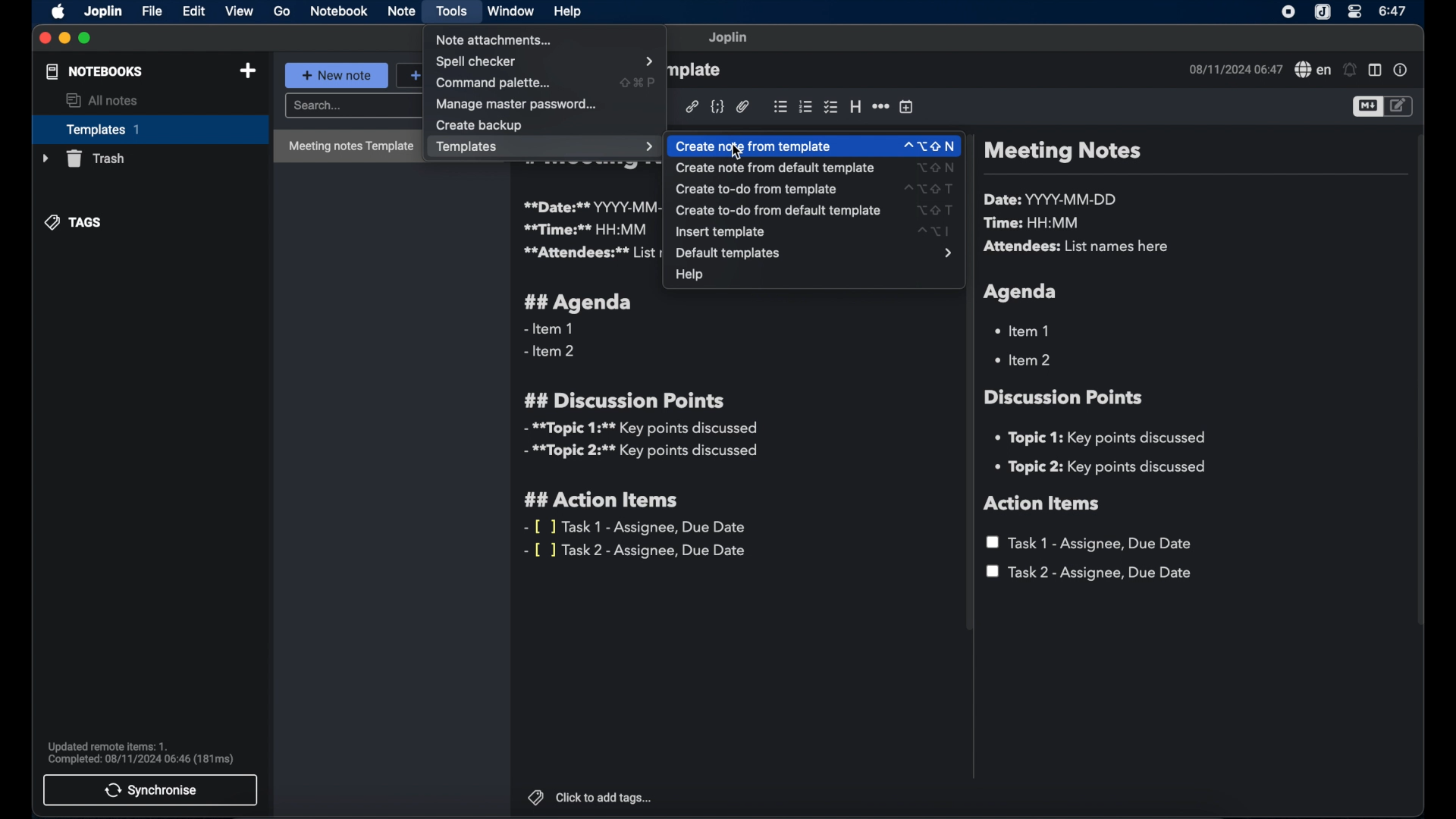  Describe the element at coordinates (642, 453) in the screenshot. I see `- **topic 2:** key points discussed` at that location.